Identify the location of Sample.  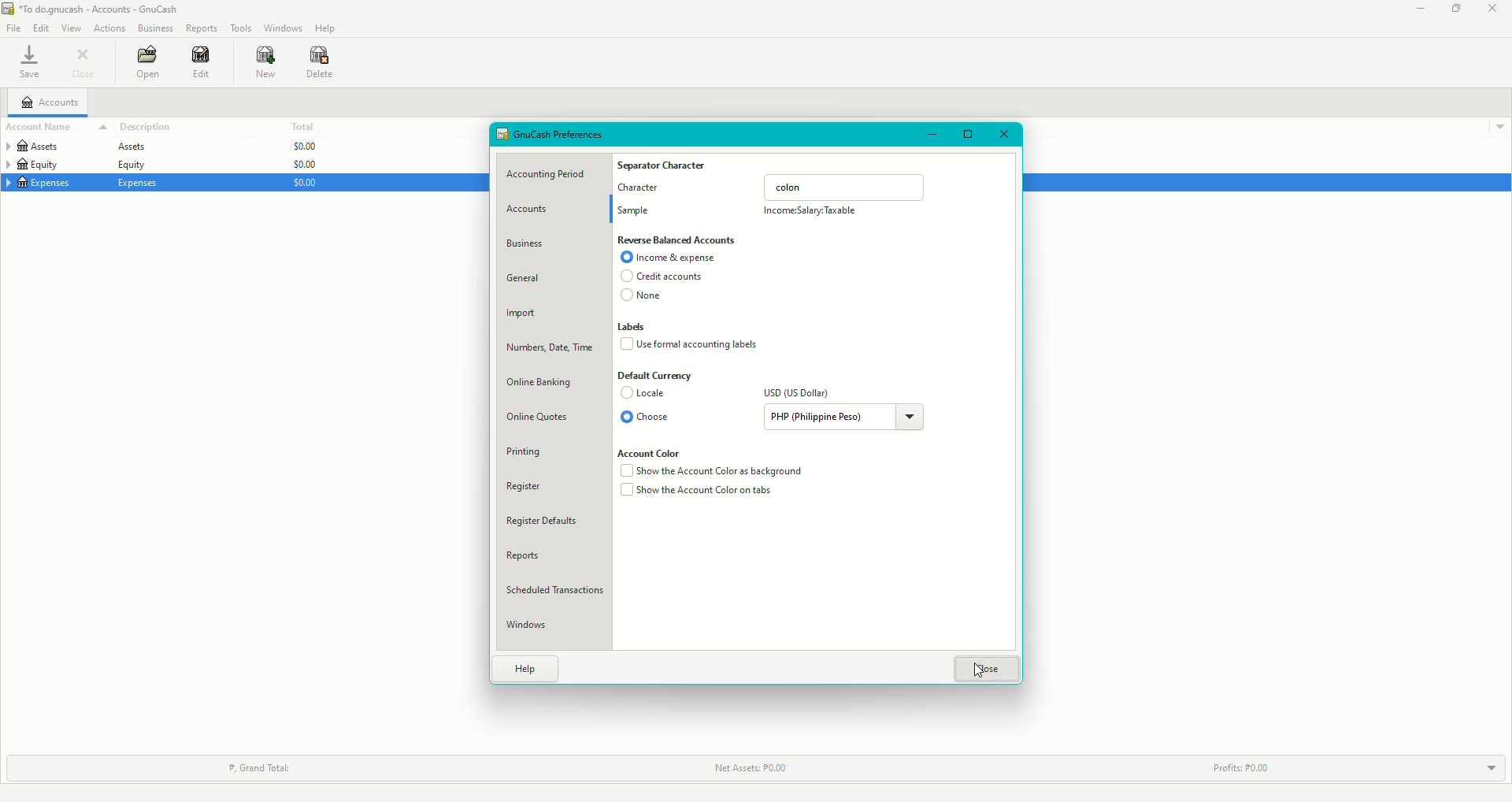
(636, 212).